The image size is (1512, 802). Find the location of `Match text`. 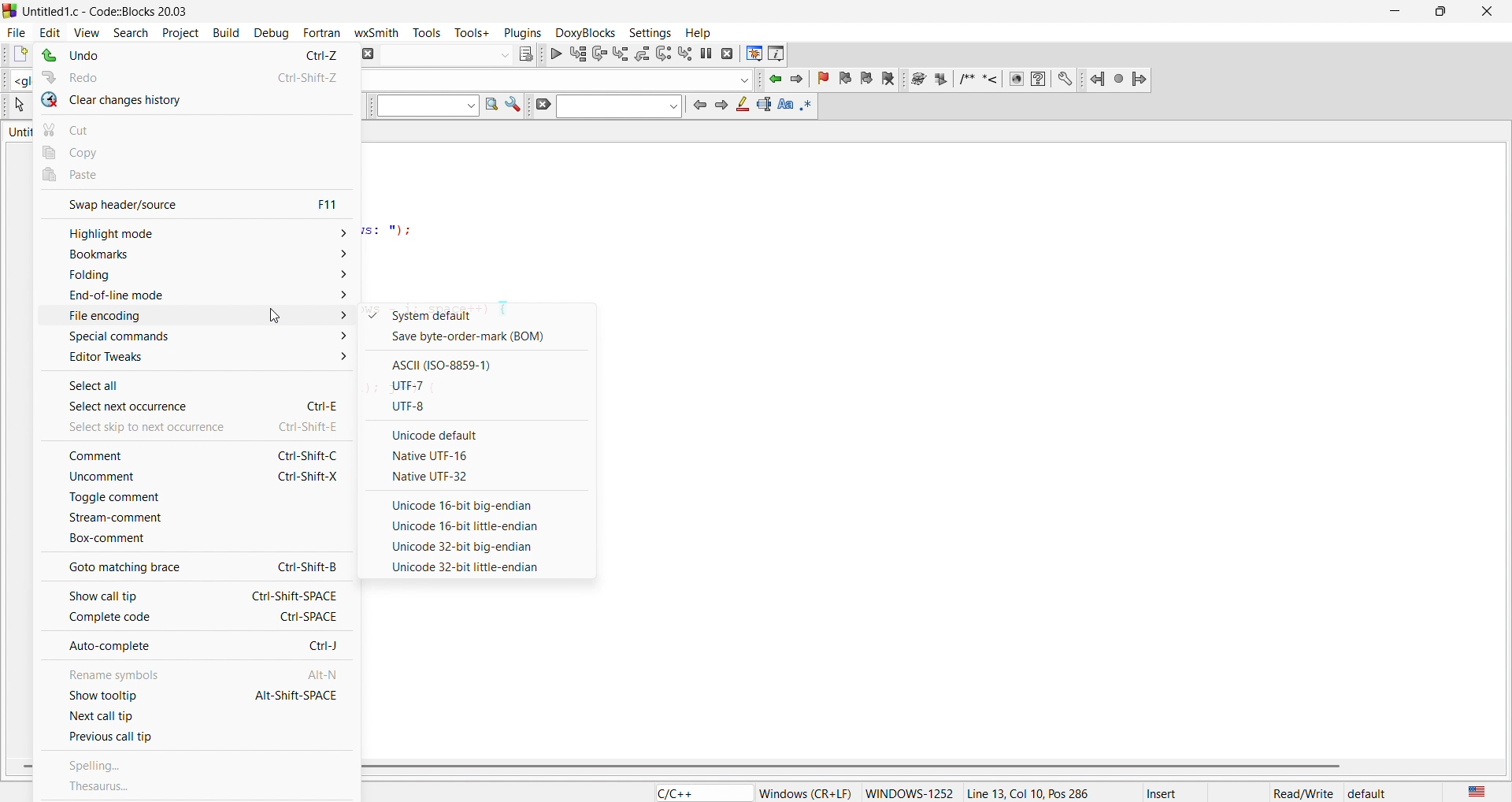

Match text is located at coordinates (785, 106).